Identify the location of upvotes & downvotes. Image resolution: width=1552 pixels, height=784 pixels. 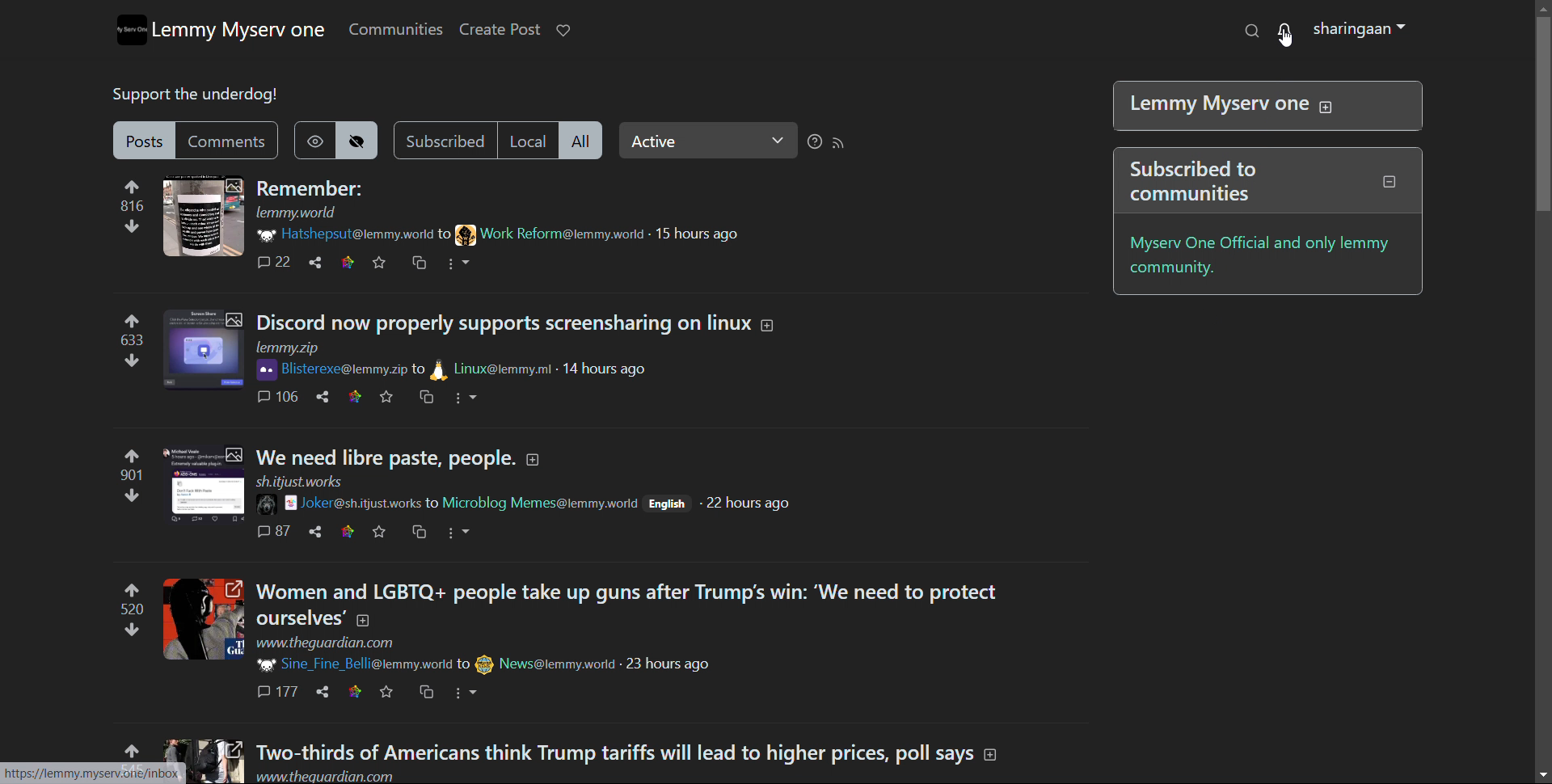
(131, 207).